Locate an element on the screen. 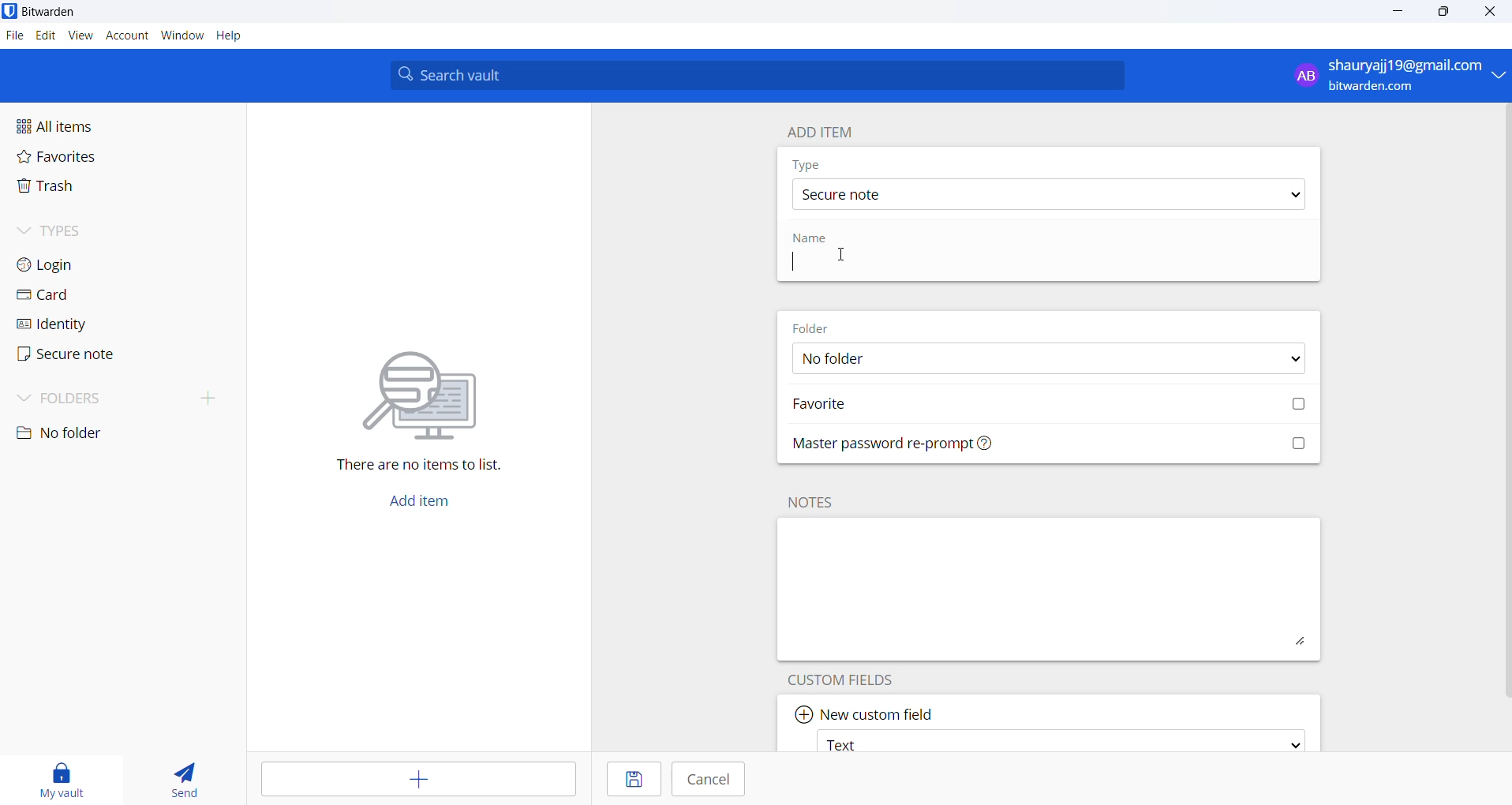  name textarea is located at coordinates (963, 264).